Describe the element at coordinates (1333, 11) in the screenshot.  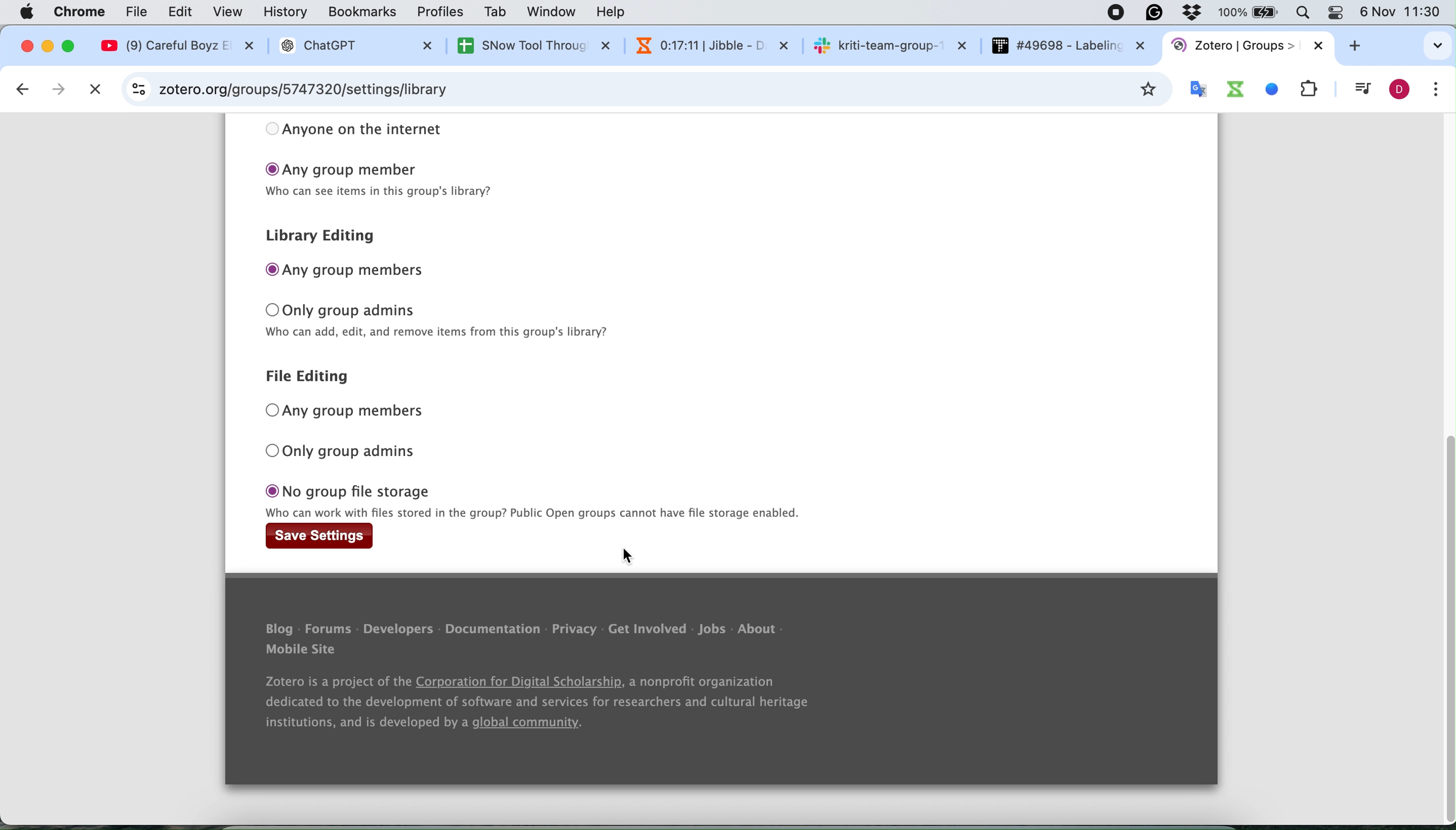
I see `Theme change` at that location.